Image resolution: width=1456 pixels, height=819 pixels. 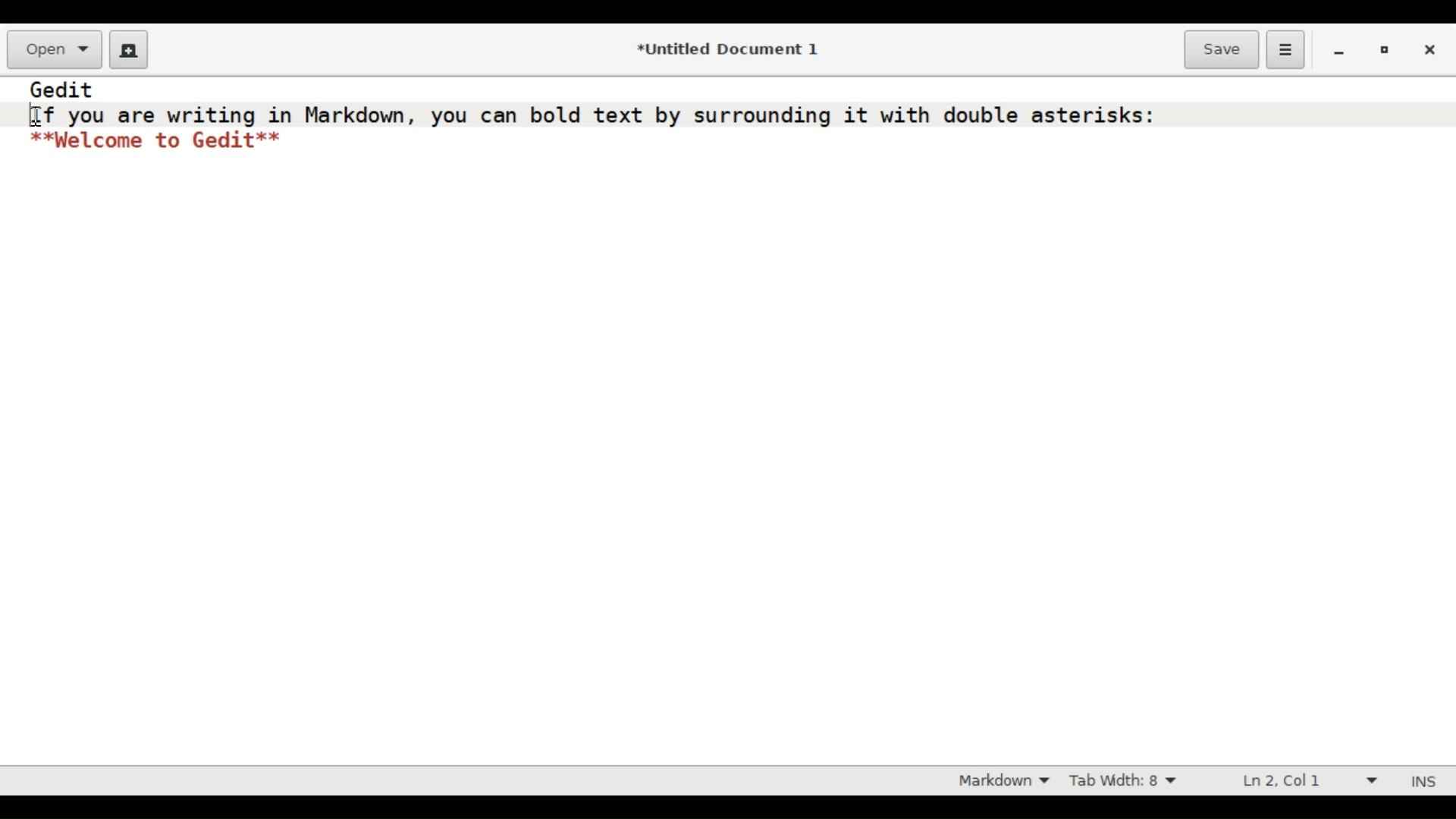 What do you see at coordinates (1134, 780) in the screenshot?
I see `Adjust Tab Width` at bounding box center [1134, 780].